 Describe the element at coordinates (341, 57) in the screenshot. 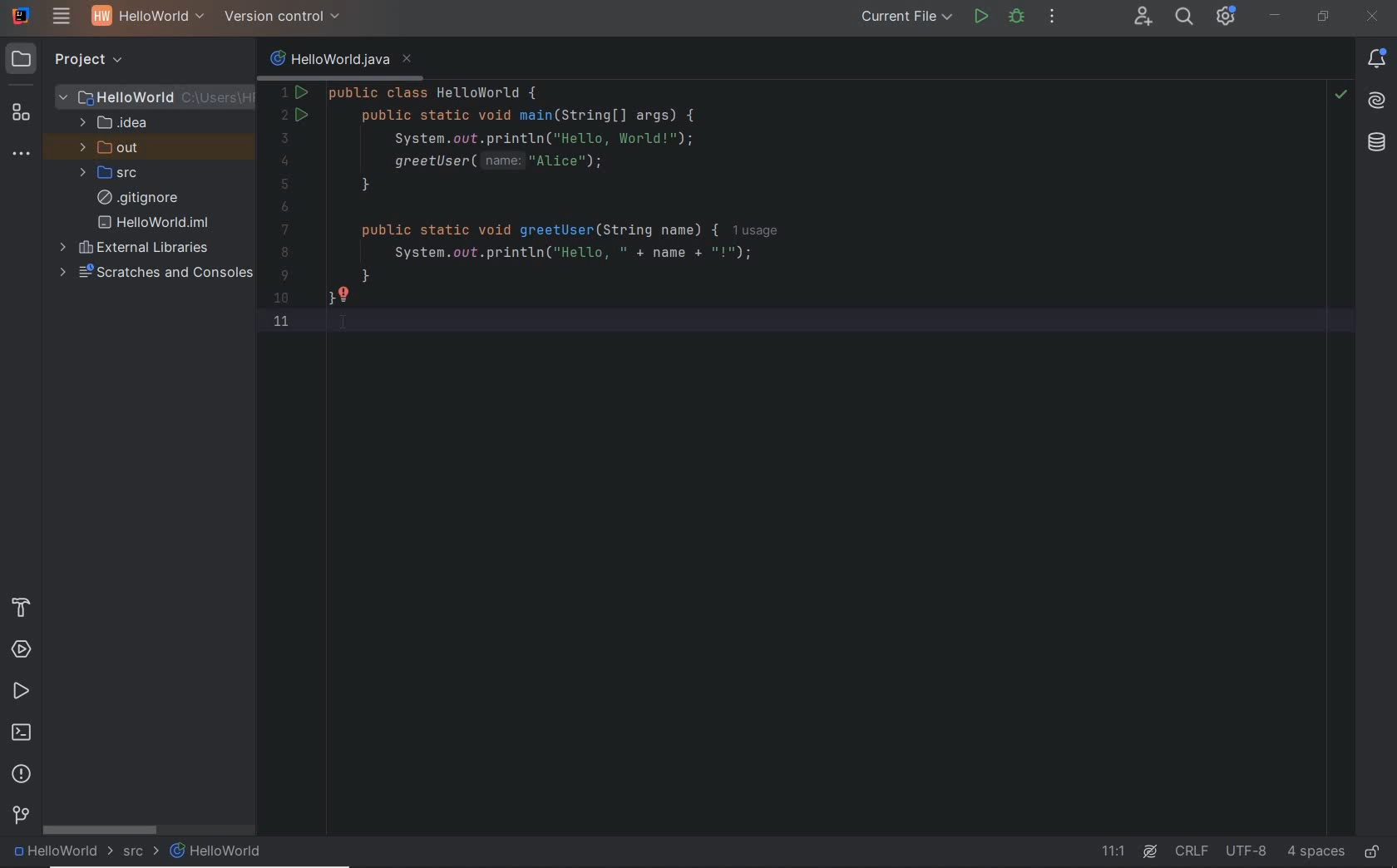

I see `HelloWorld.java(java class name)` at that location.